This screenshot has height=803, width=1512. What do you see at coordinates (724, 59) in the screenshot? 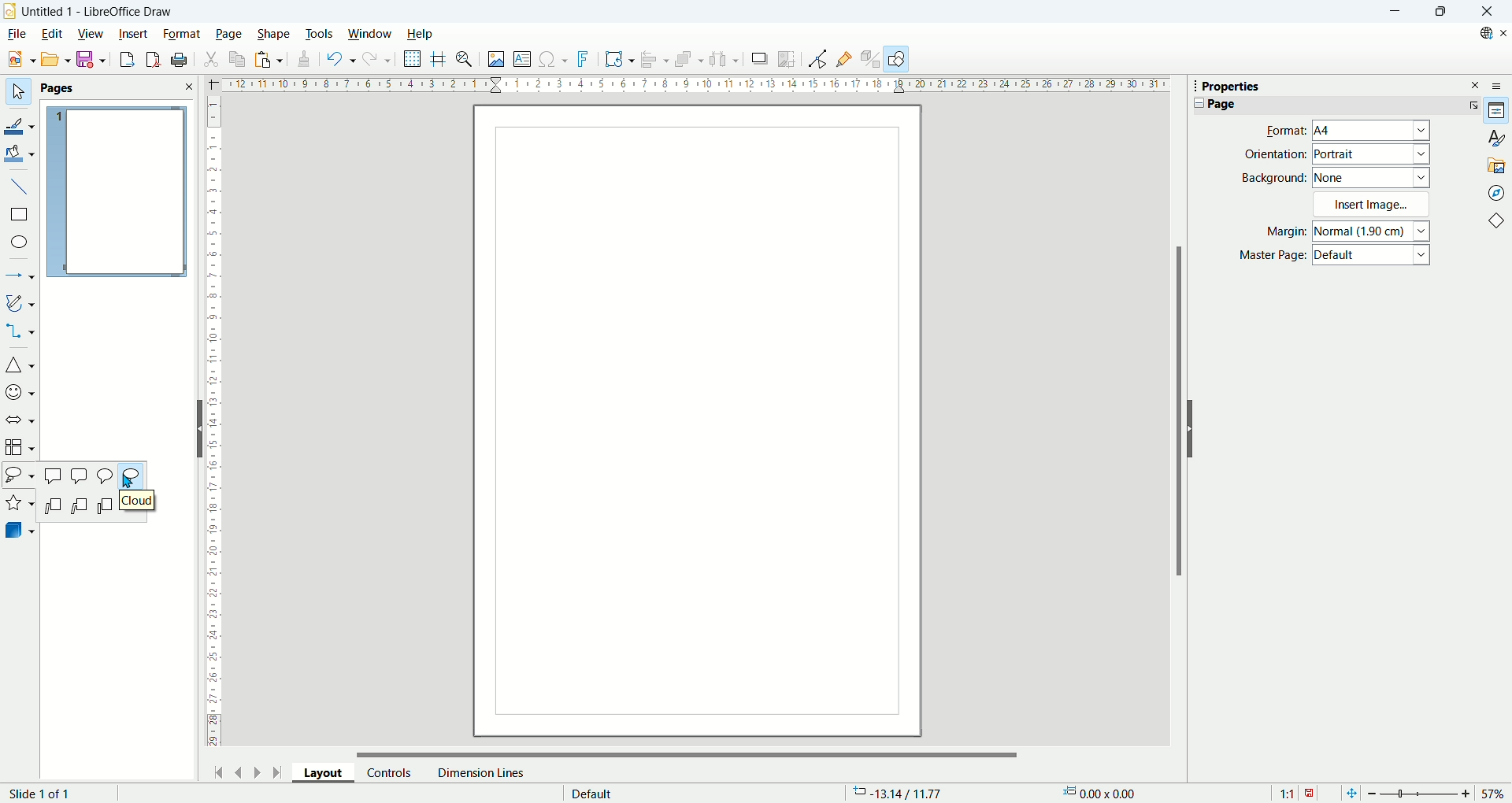
I see `select atleast three objects to distribute` at bounding box center [724, 59].